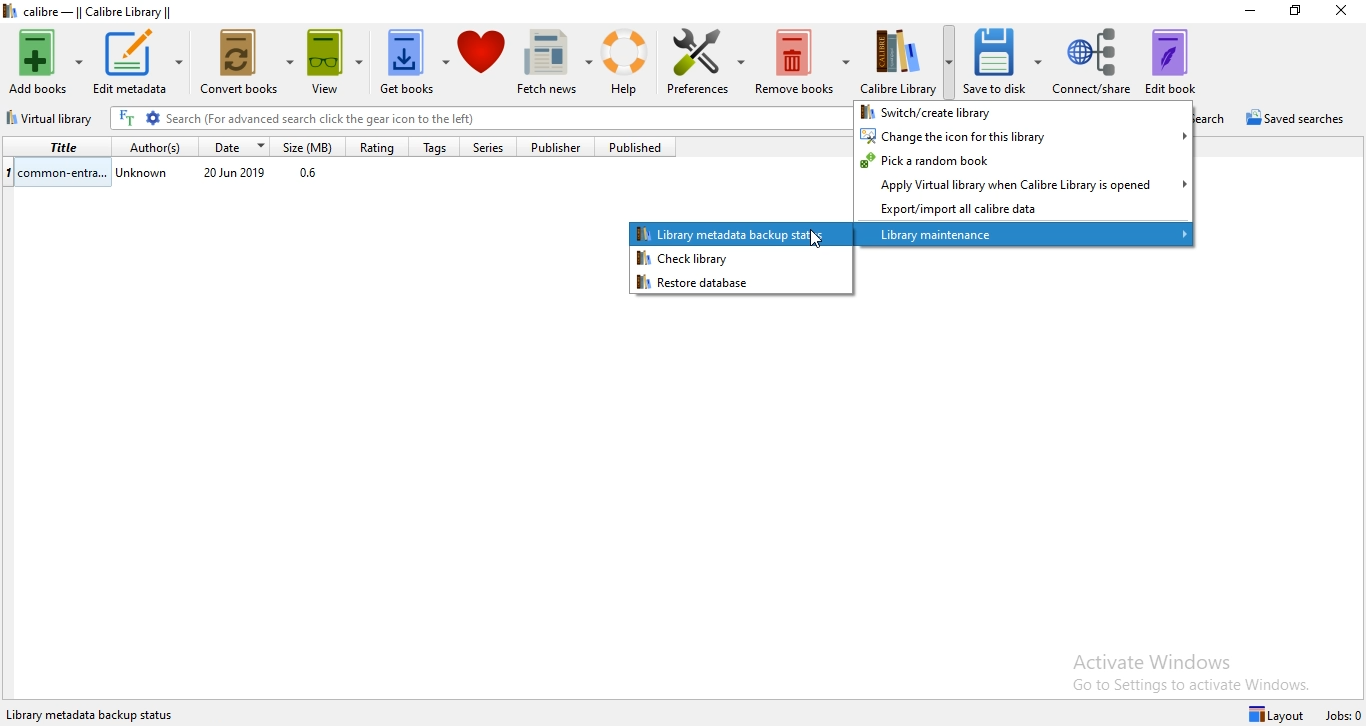  Describe the element at coordinates (504, 120) in the screenshot. I see `Serach bar` at that location.